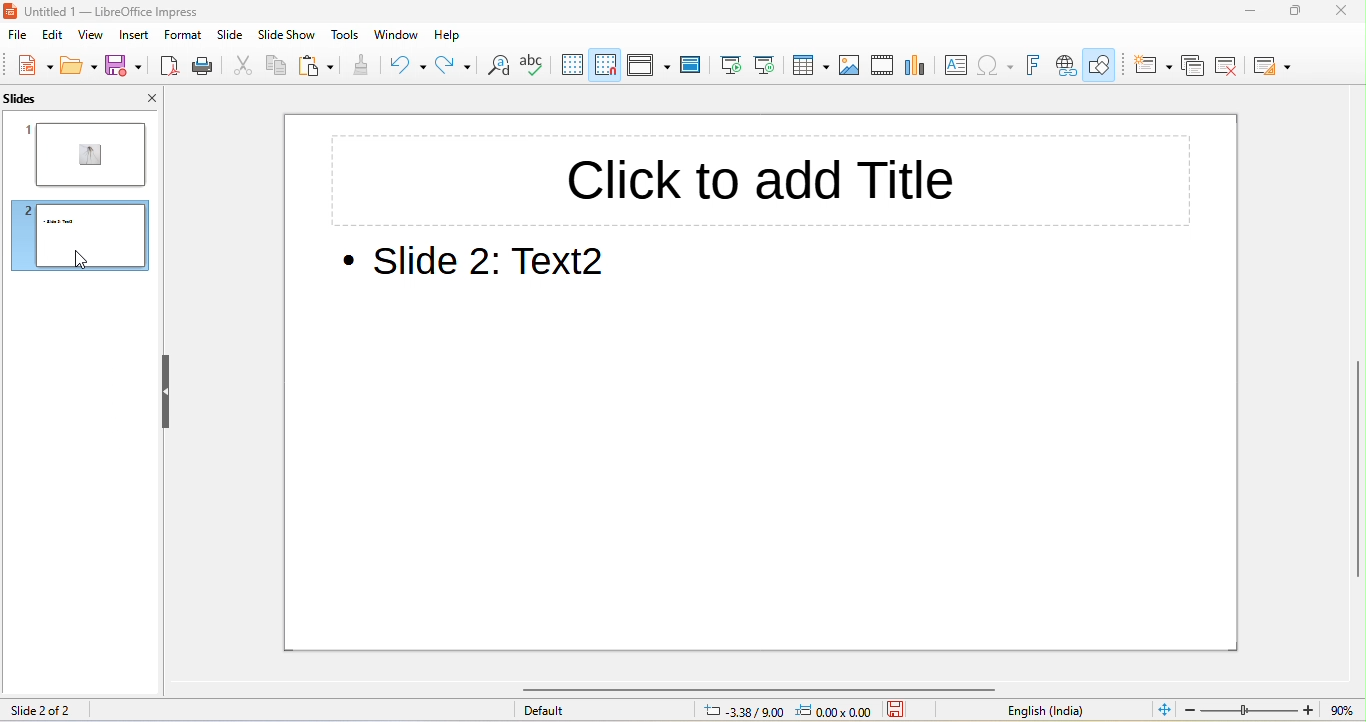 Image resolution: width=1366 pixels, height=722 pixels. I want to click on export directly as pdf, so click(170, 67).